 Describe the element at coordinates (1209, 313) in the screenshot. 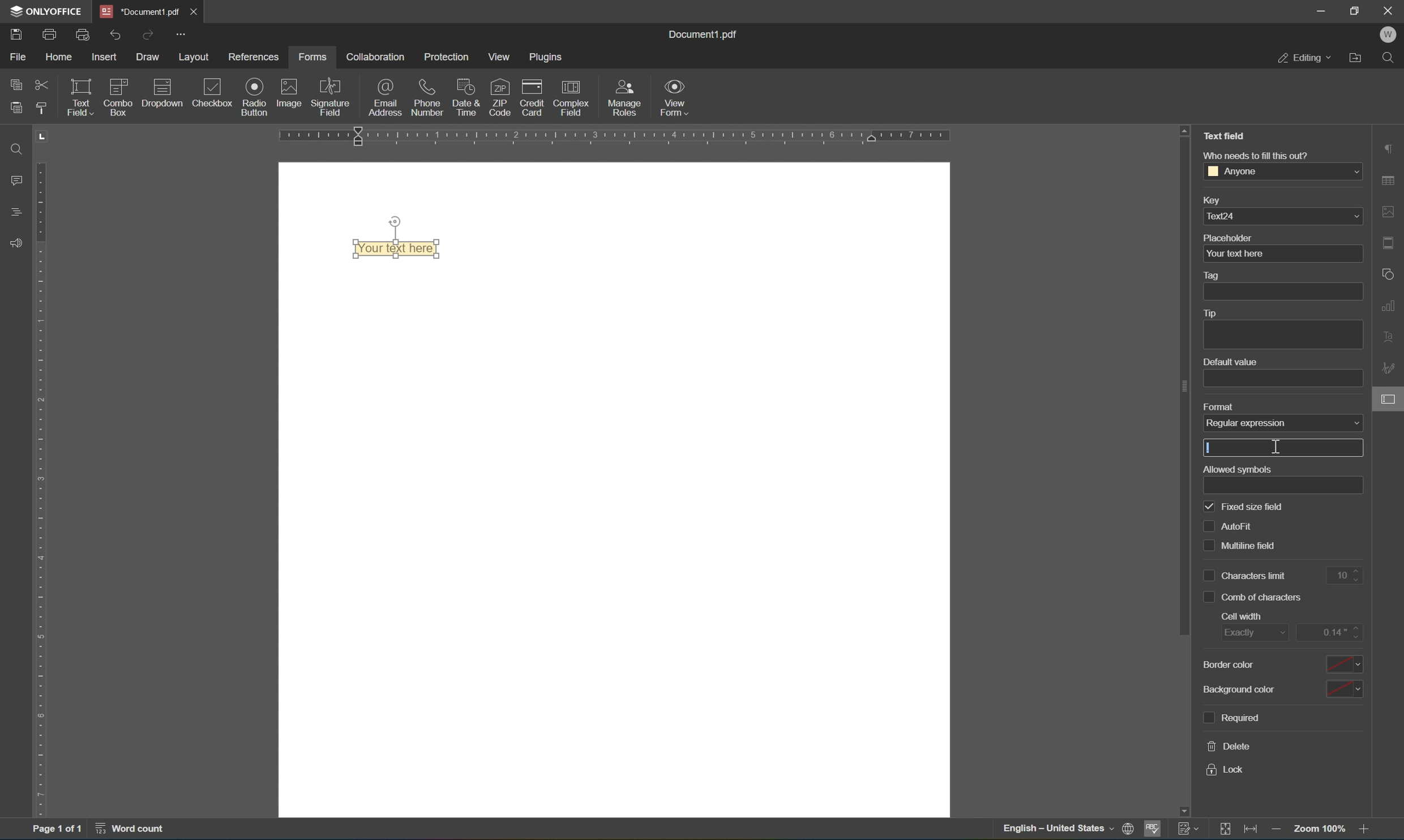

I see `tip` at that location.